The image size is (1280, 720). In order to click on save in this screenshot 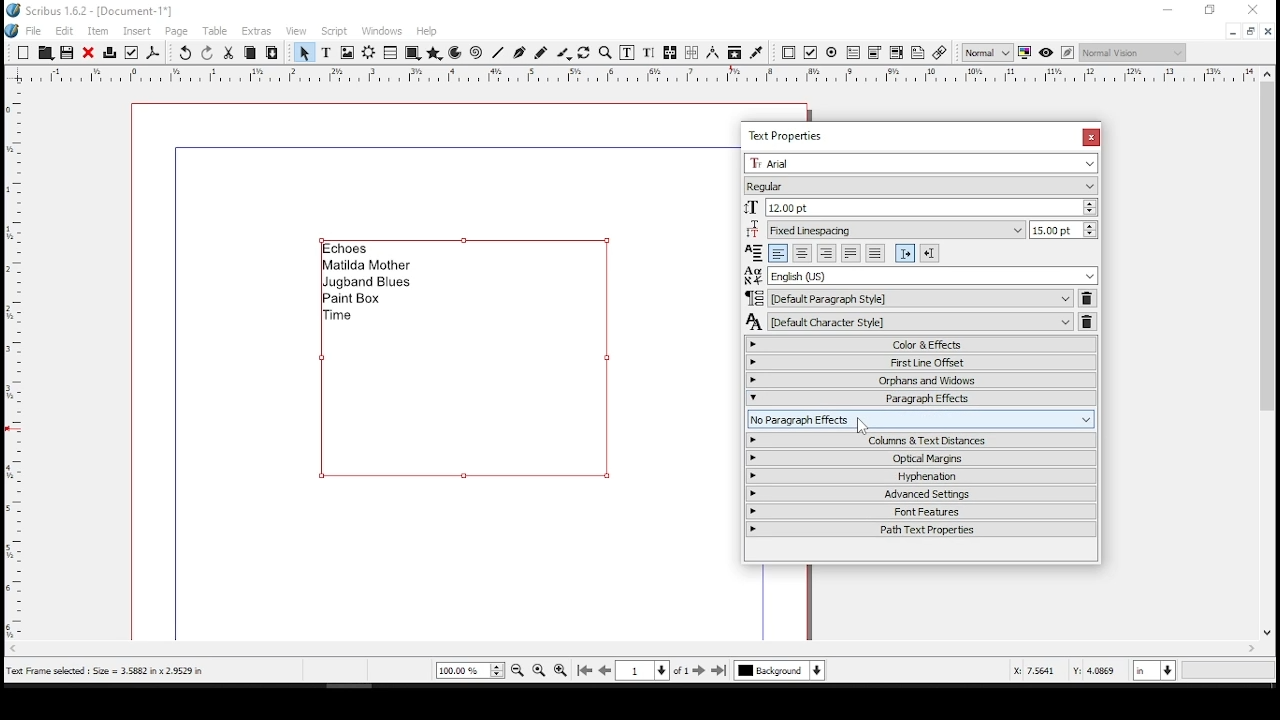, I will do `click(66, 52)`.